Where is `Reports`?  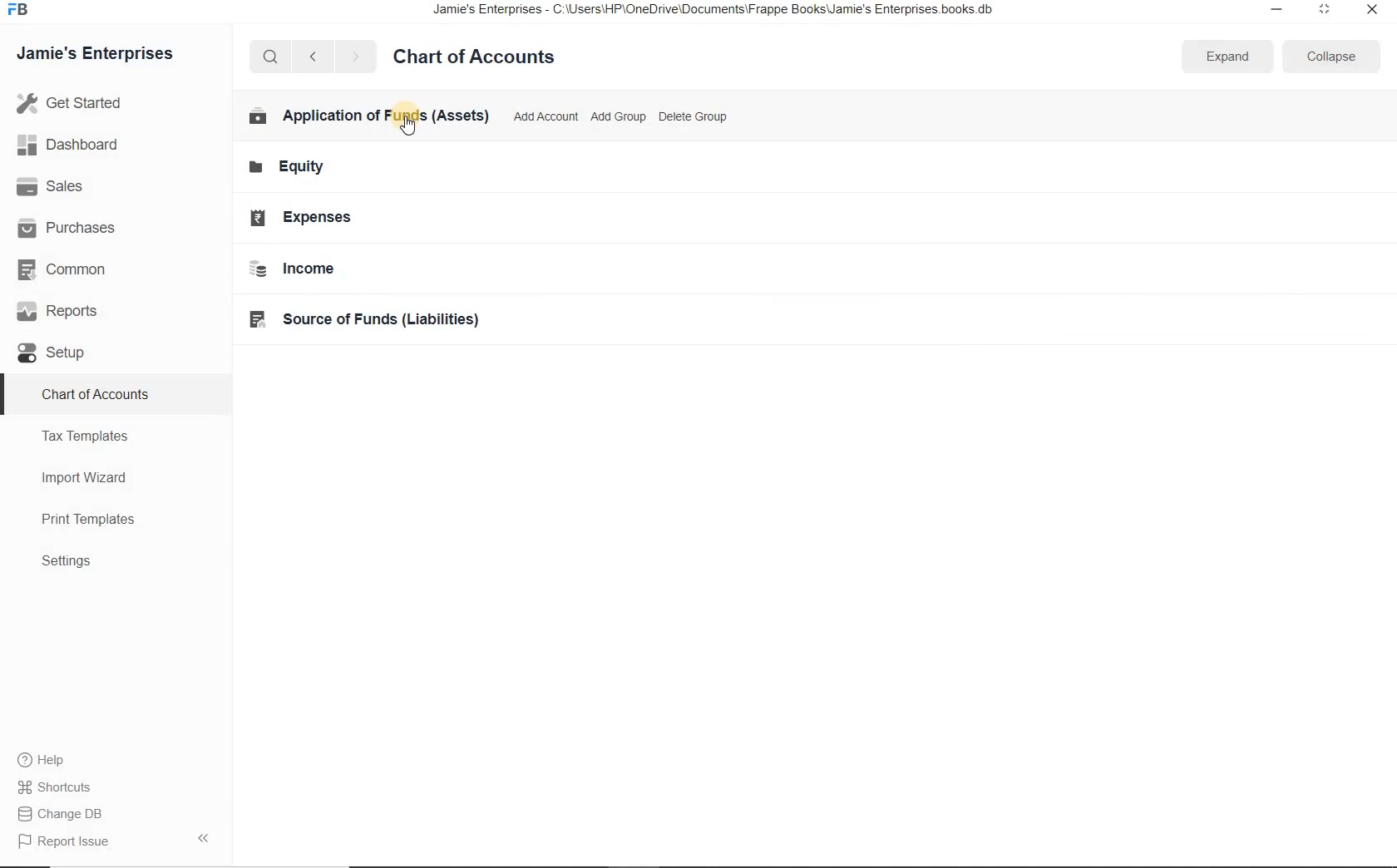
Reports is located at coordinates (74, 313).